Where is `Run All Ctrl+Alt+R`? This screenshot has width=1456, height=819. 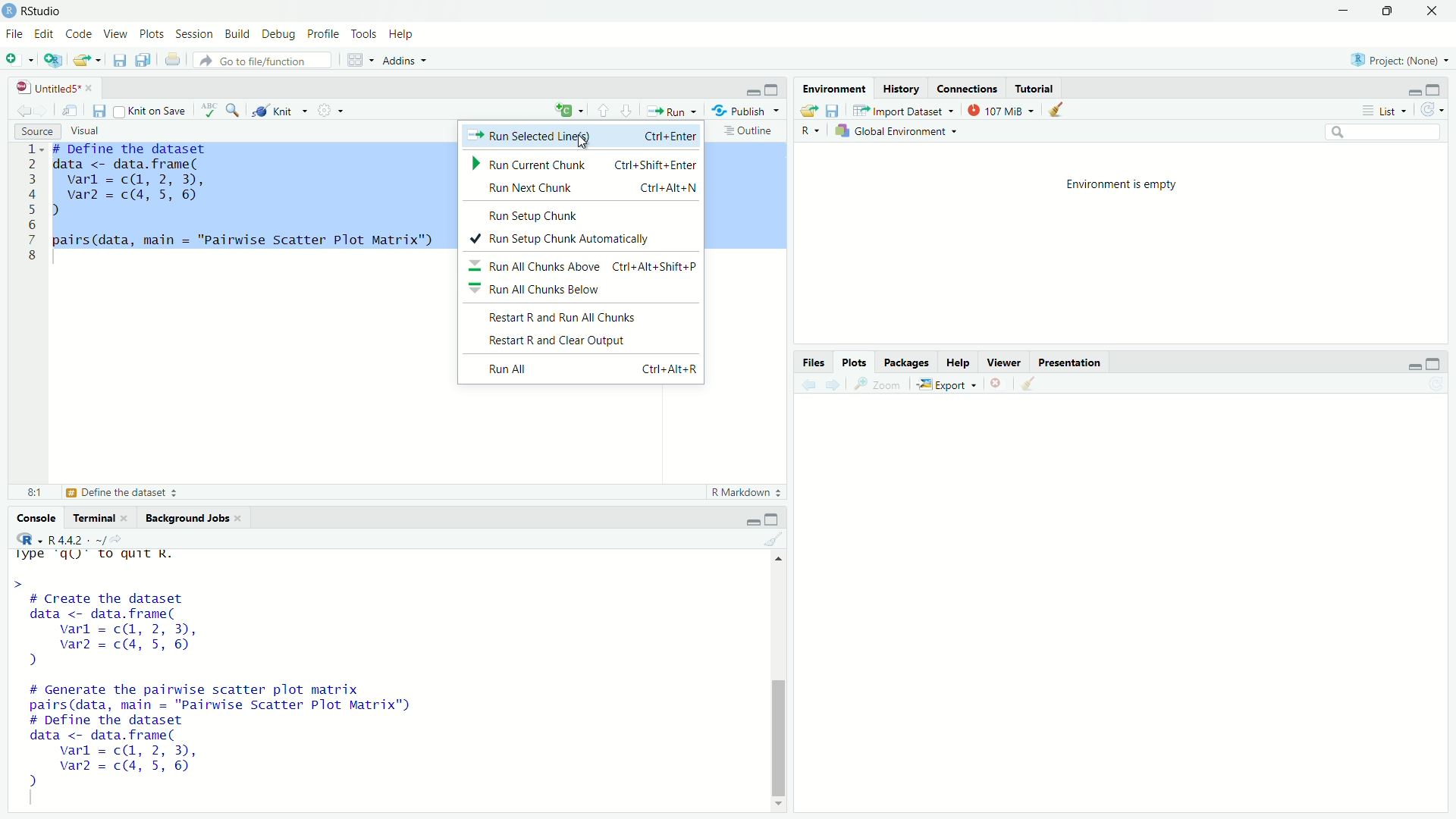
Run All Ctrl+Alt+R is located at coordinates (586, 368).